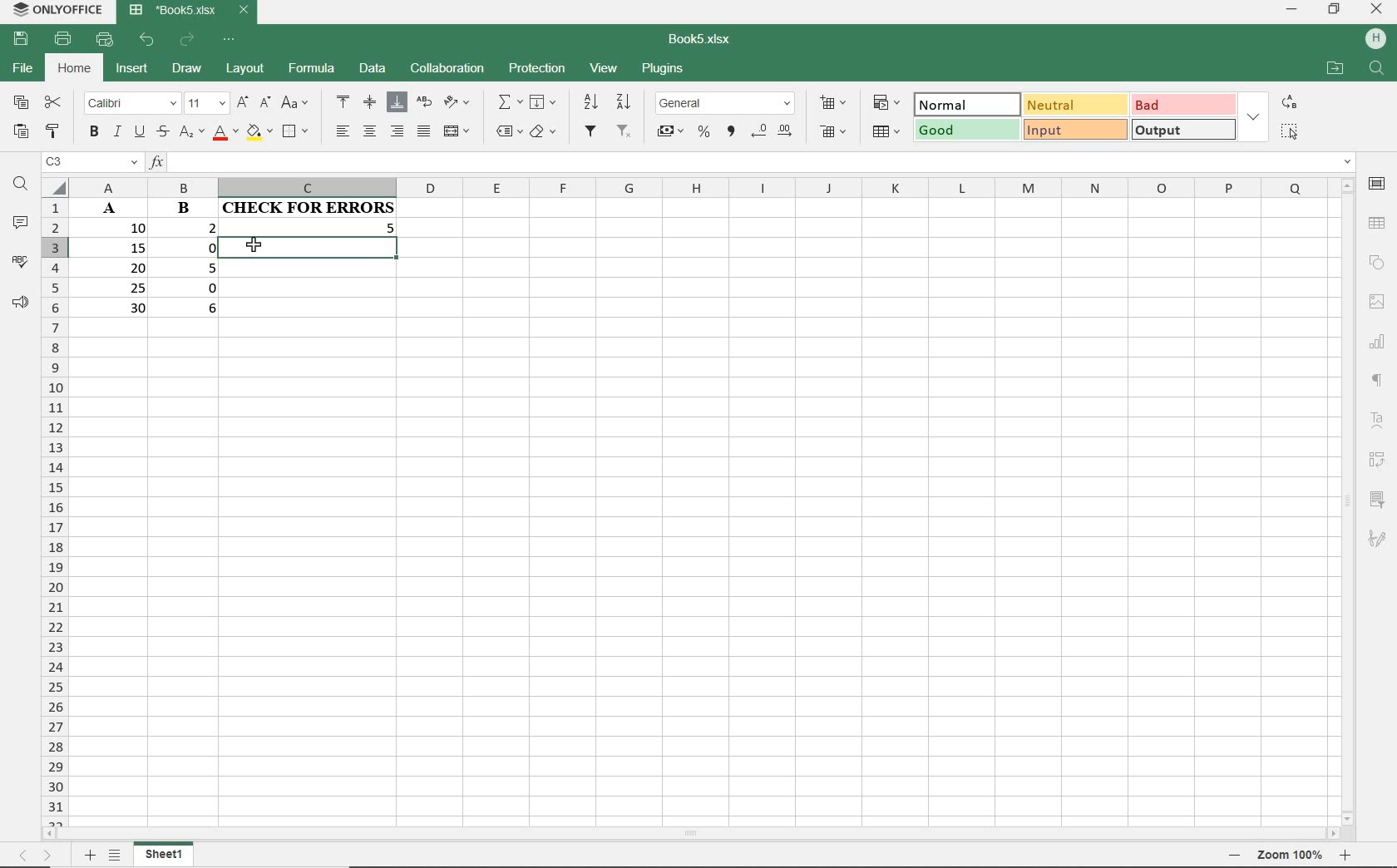 Image resolution: width=1397 pixels, height=868 pixels. Describe the element at coordinates (370, 104) in the screenshot. I see `ALIGN MIDDLE` at that location.